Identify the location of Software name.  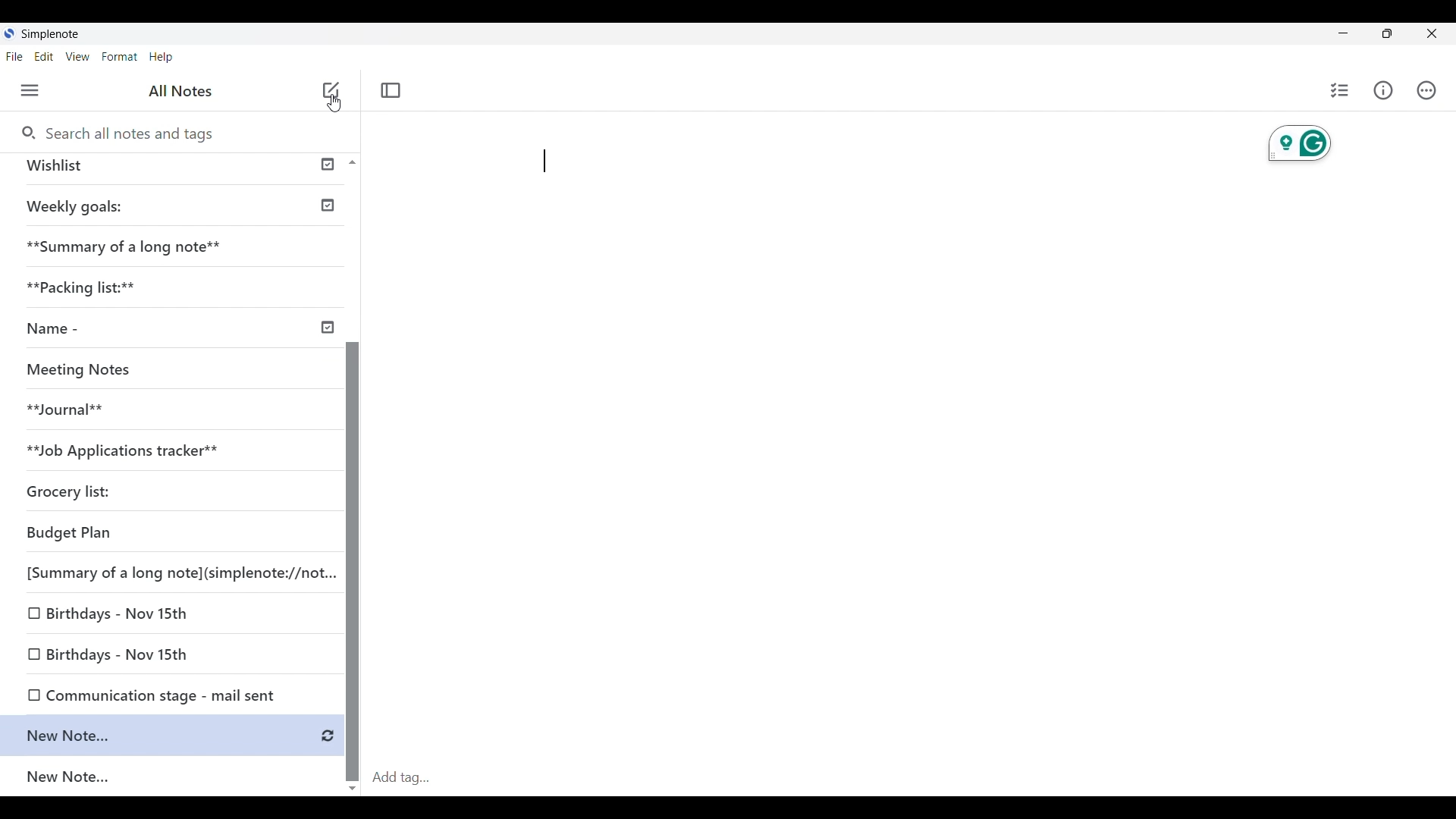
(50, 34).